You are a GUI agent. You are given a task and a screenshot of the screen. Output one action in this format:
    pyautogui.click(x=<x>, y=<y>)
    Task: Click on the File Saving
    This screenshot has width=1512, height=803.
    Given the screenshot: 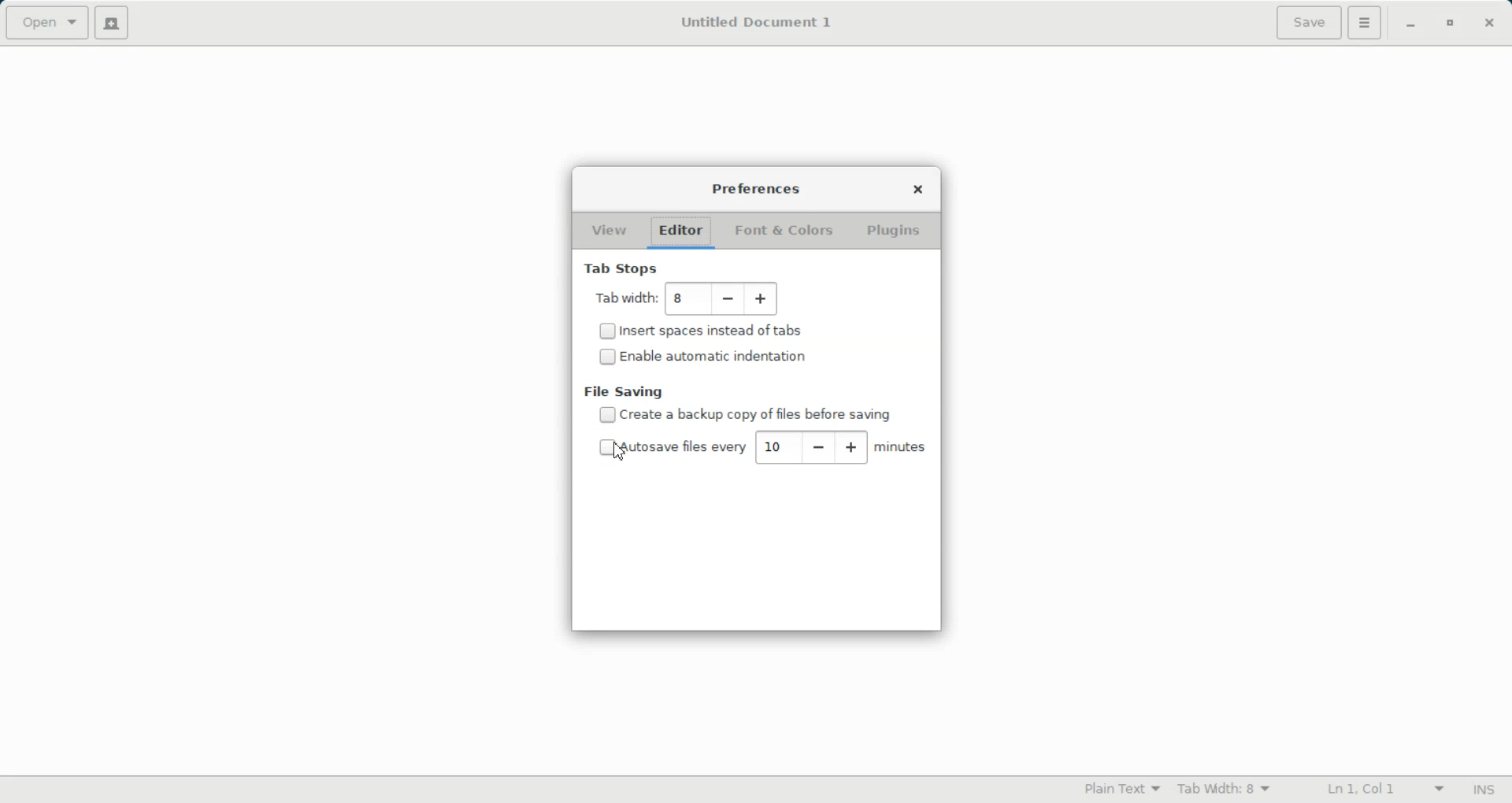 What is the action you would take?
    pyautogui.click(x=626, y=390)
    